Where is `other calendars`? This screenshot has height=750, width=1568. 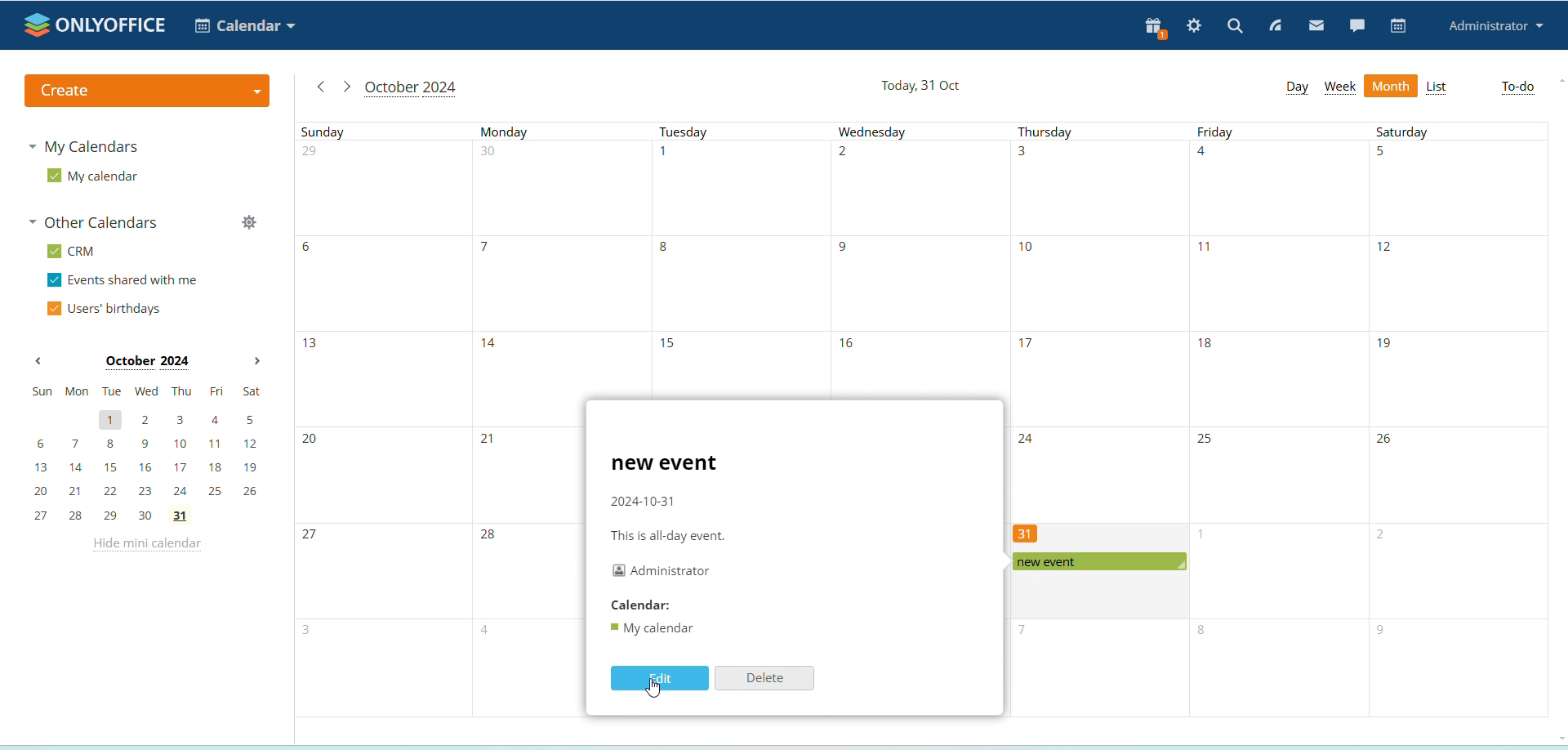 other calendars is located at coordinates (98, 224).